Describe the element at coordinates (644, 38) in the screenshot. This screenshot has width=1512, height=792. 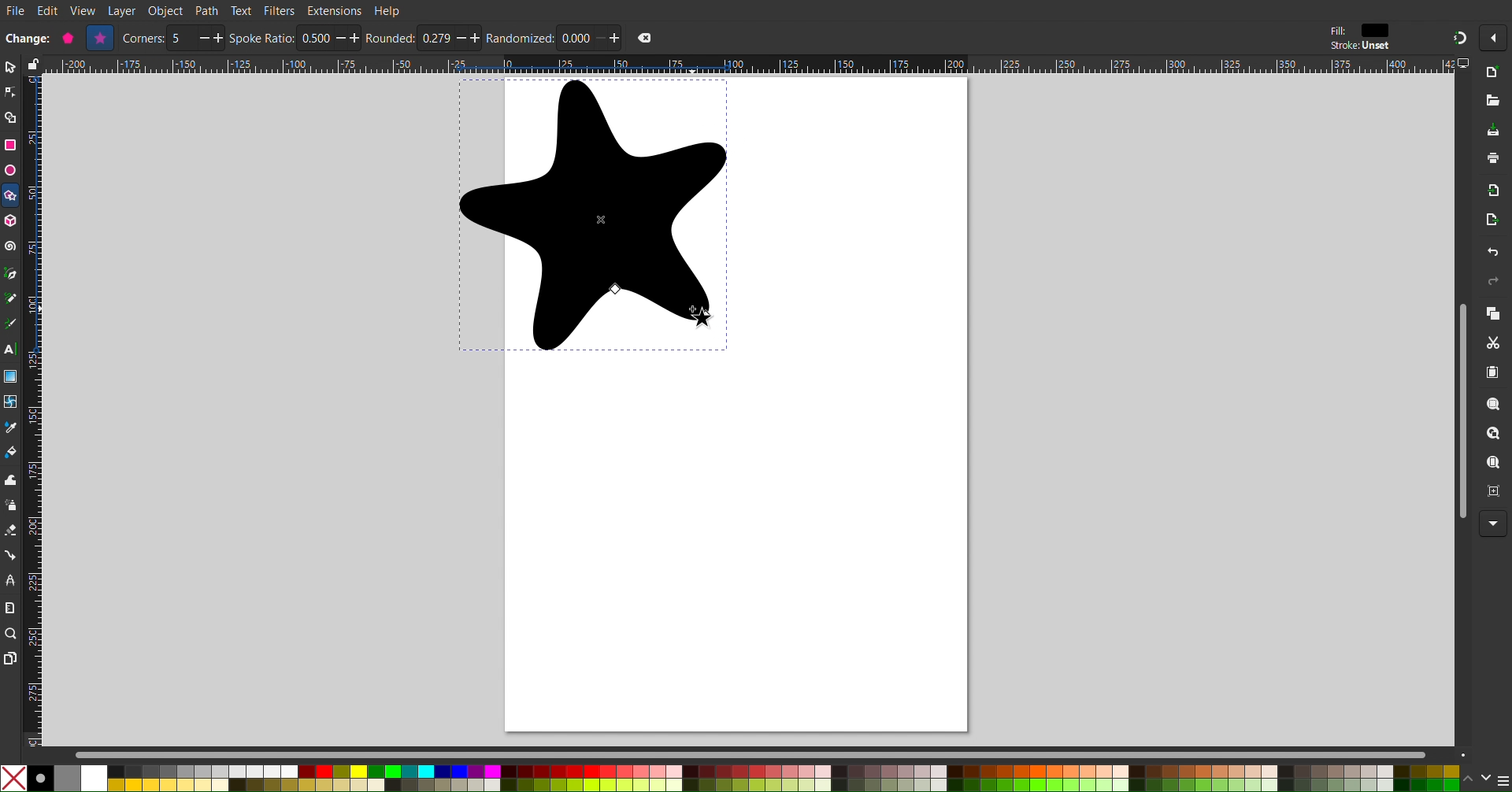
I see `Close` at that location.